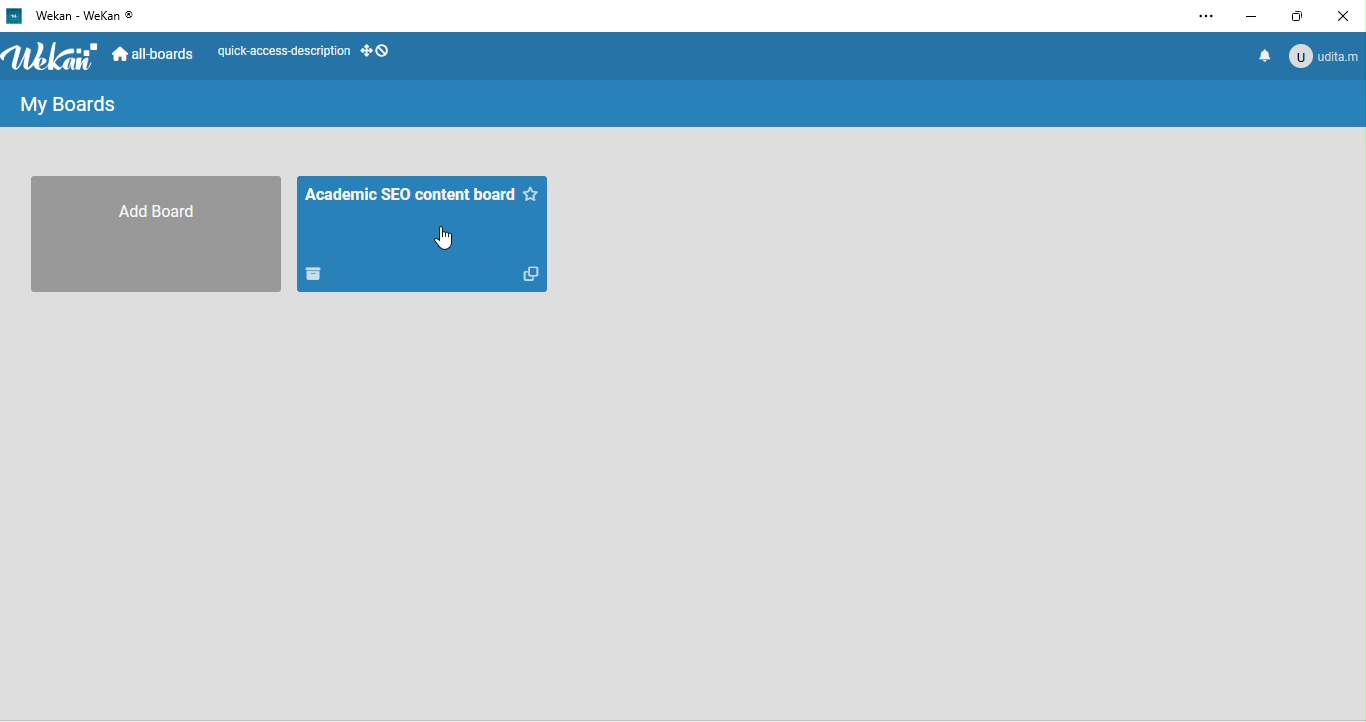 The height and width of the screenshot is (722, 1366). Describe the element at coordinates (316, 274) in the screenshot. I see `DropBox` at that location.